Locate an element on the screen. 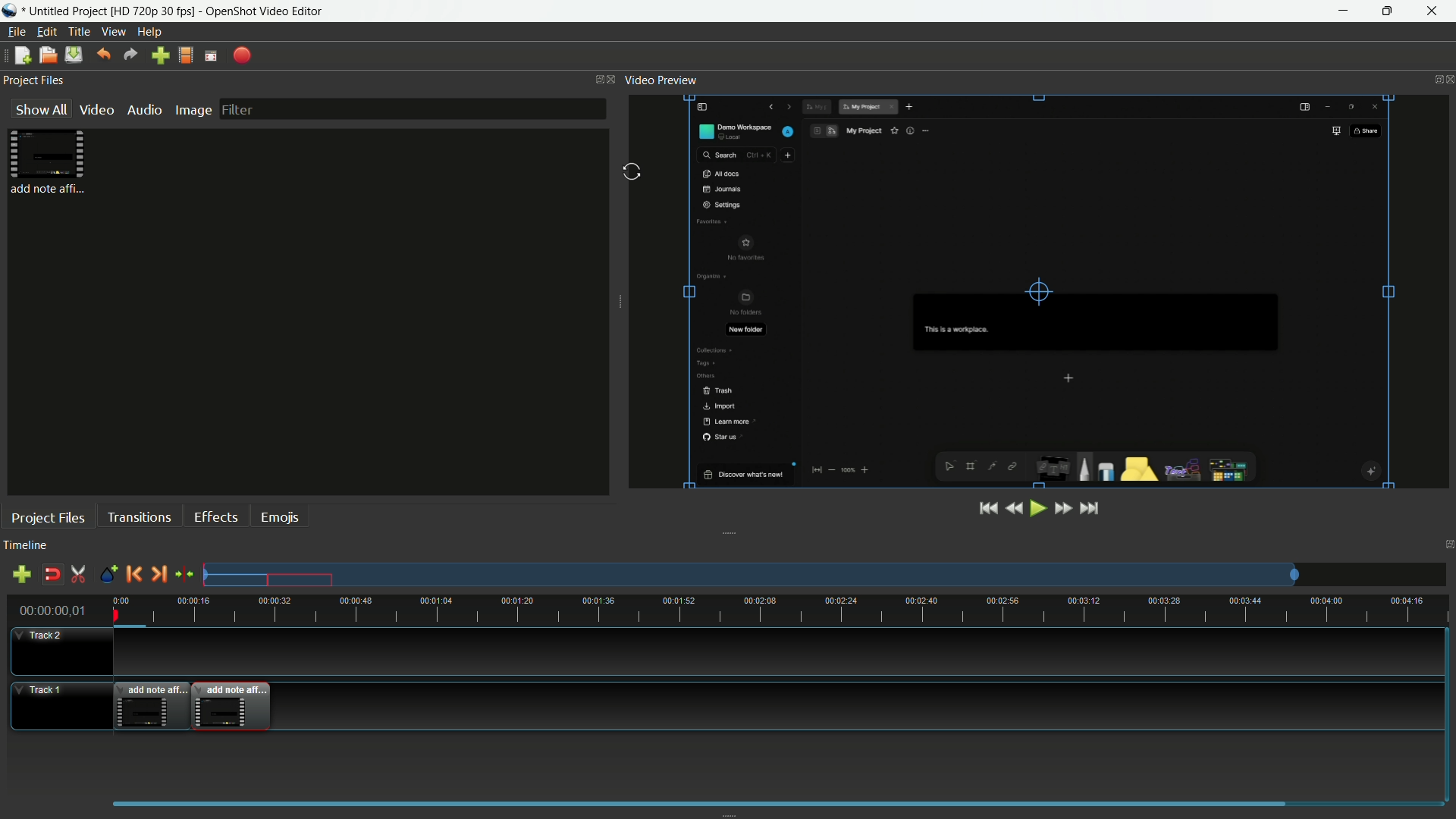 The height and width of the screenshot is (819, 1456). video is rearranged is located at coordinates (239, 705).